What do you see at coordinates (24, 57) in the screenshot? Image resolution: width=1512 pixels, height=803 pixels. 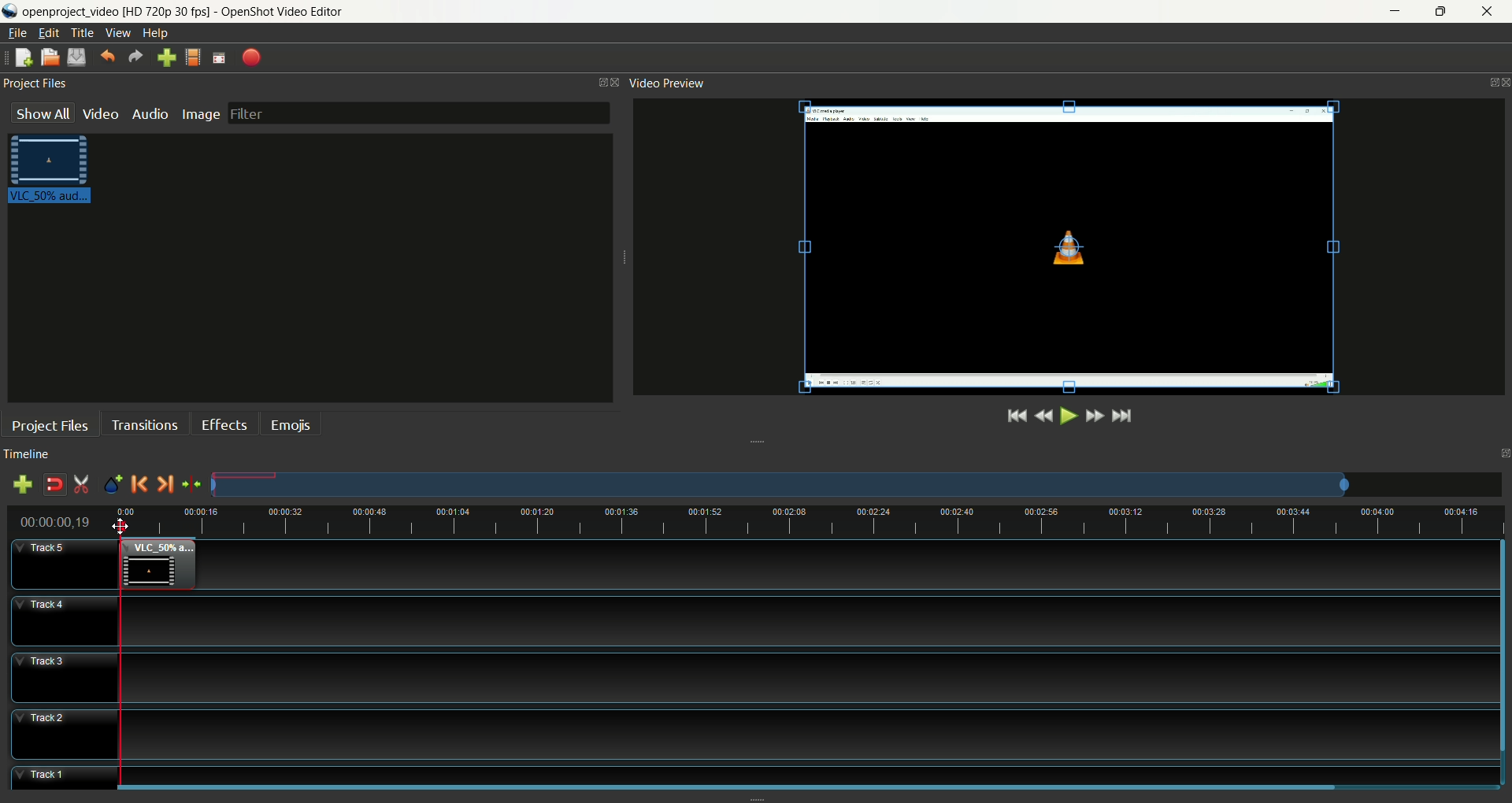 I see `new project` at bounding box center [24, 57].